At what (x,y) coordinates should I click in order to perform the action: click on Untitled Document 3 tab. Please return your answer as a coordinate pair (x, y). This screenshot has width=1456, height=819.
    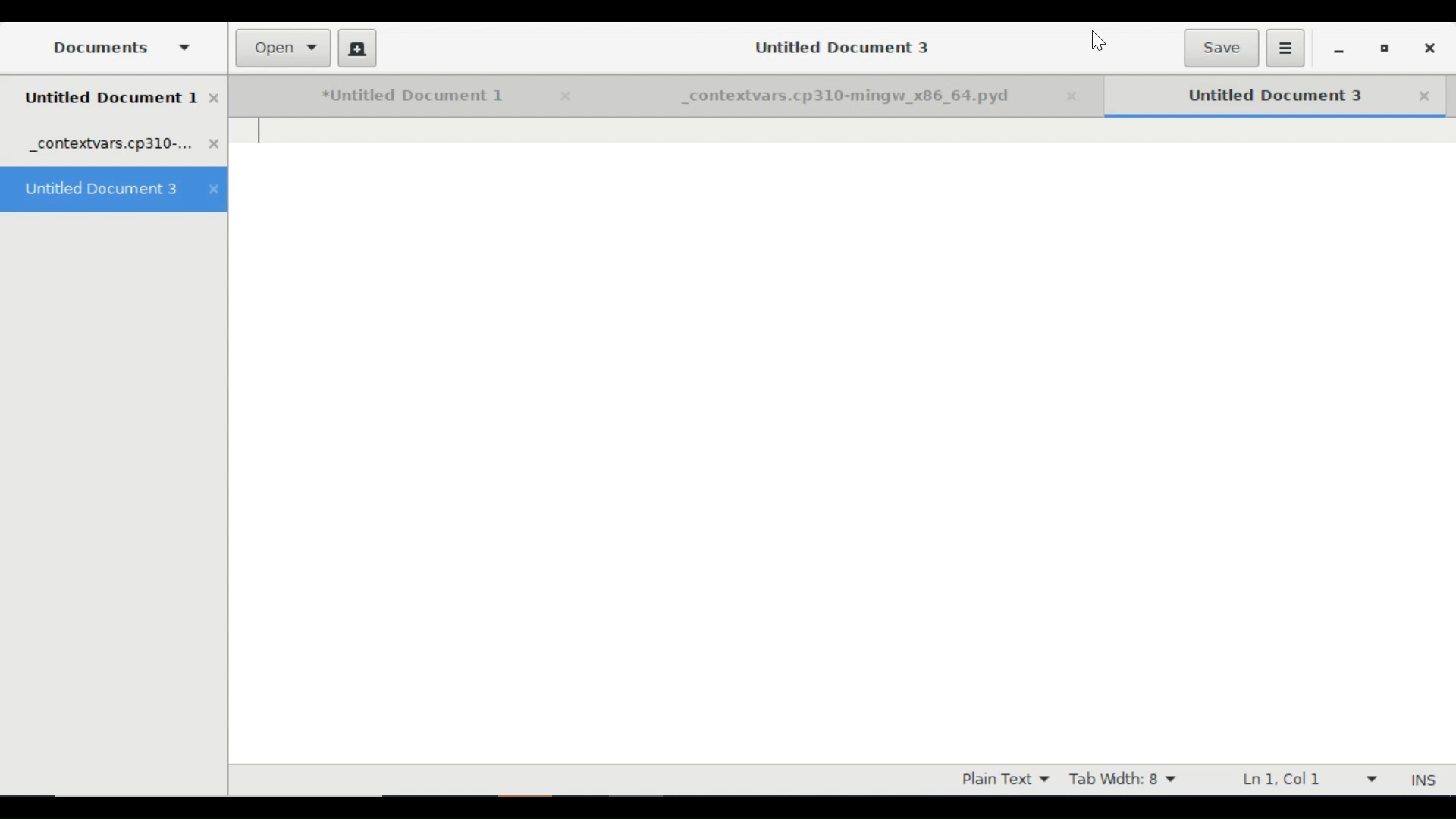
    Looking at the image, I should click on (115, 190).